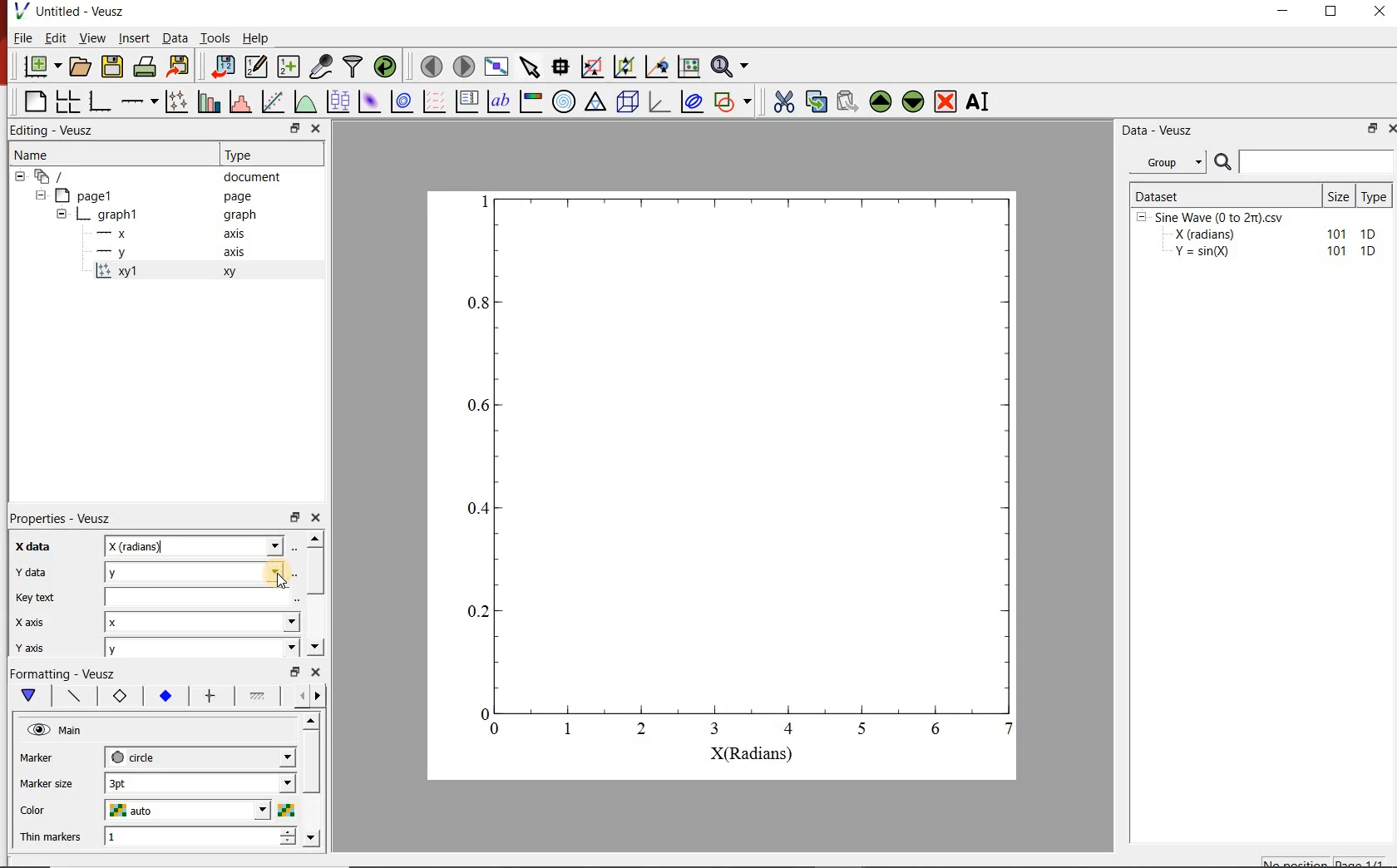  Describe the element at coordinates (299, 695) in the screenshot. I see `Move left` at that location.